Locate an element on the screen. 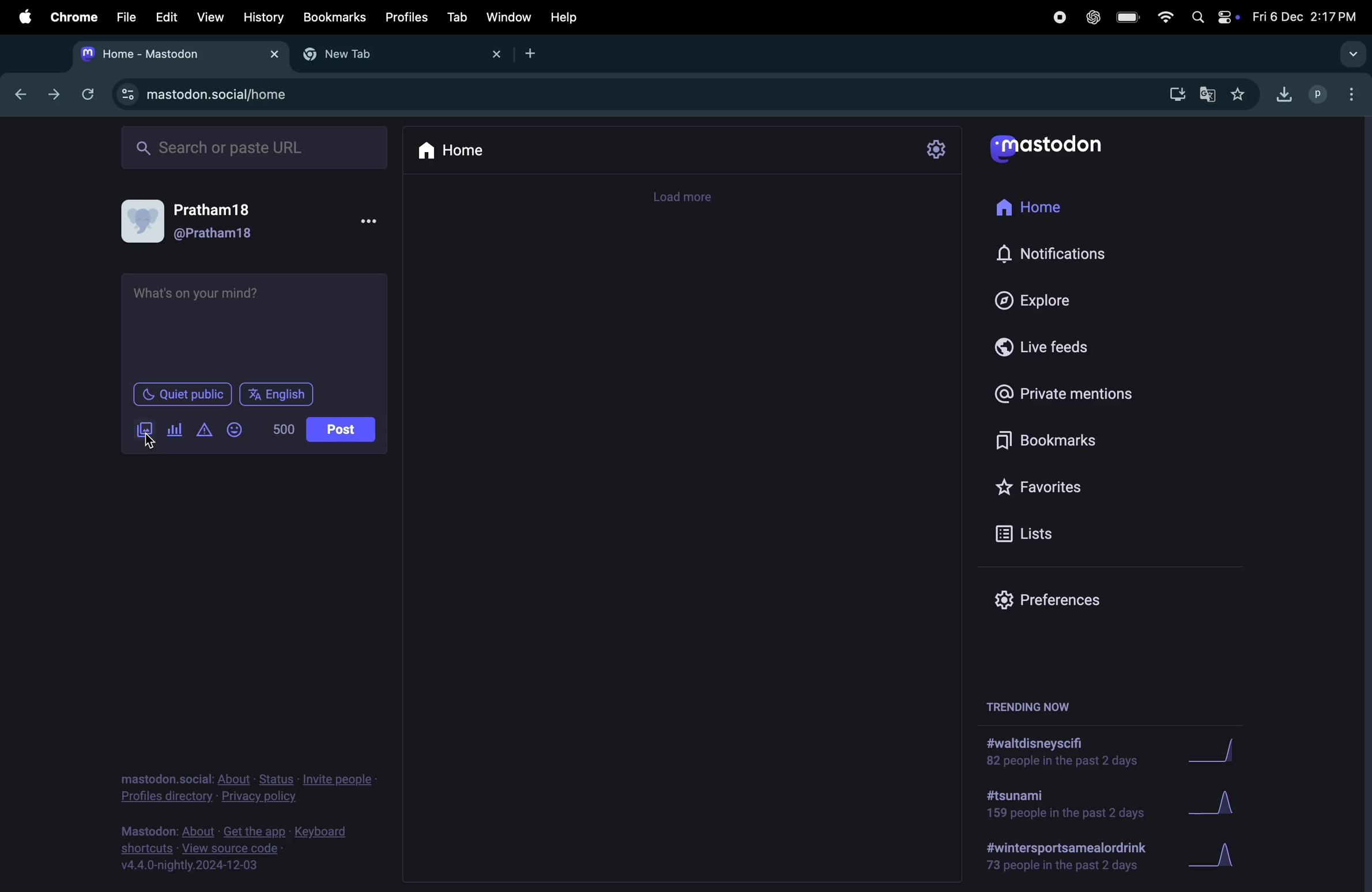  window is located at coordinates (510, 18).